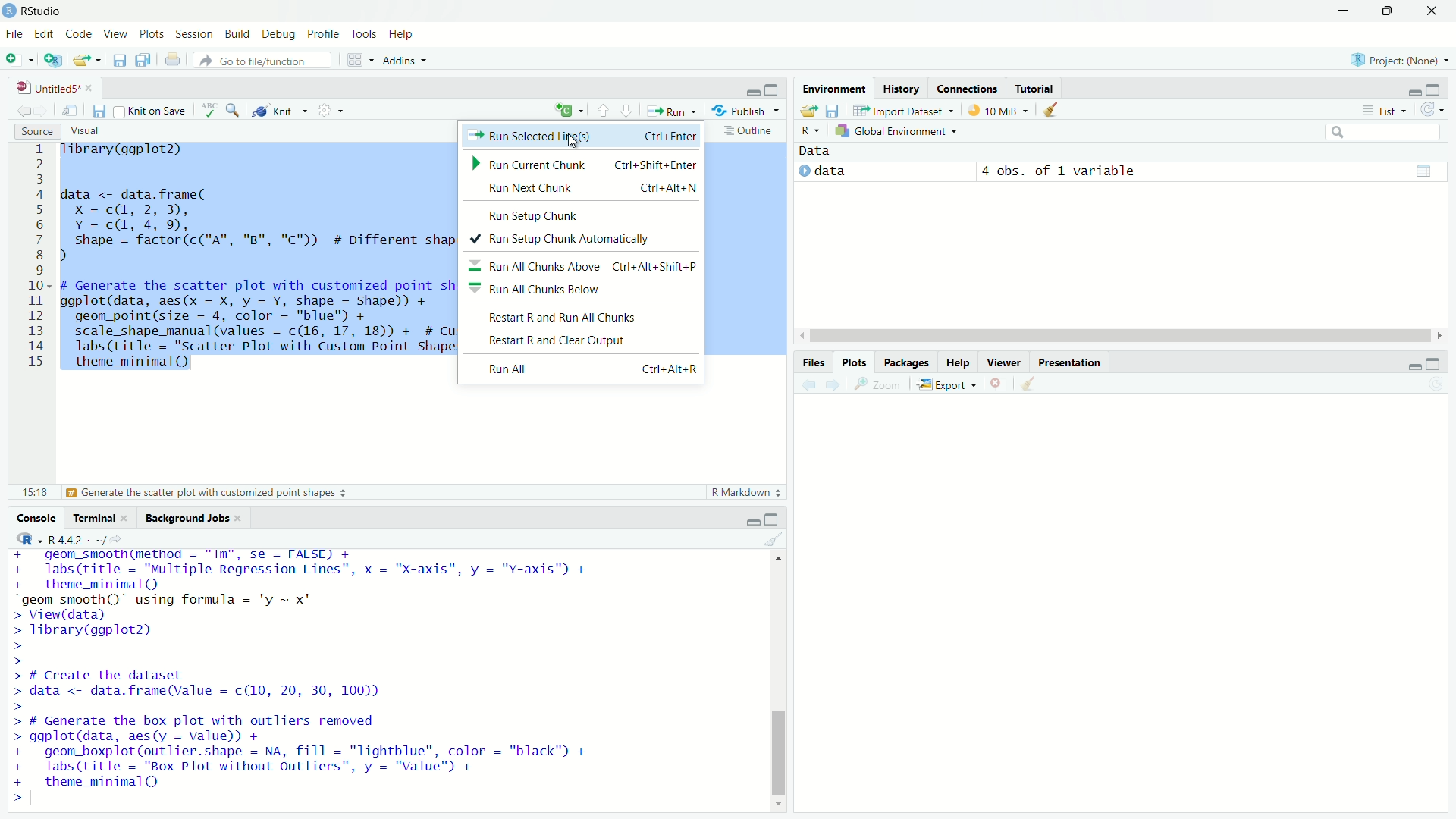 This screenshot has height=819, width=1456. I want to click on Open an existing file, so click(80, 60).